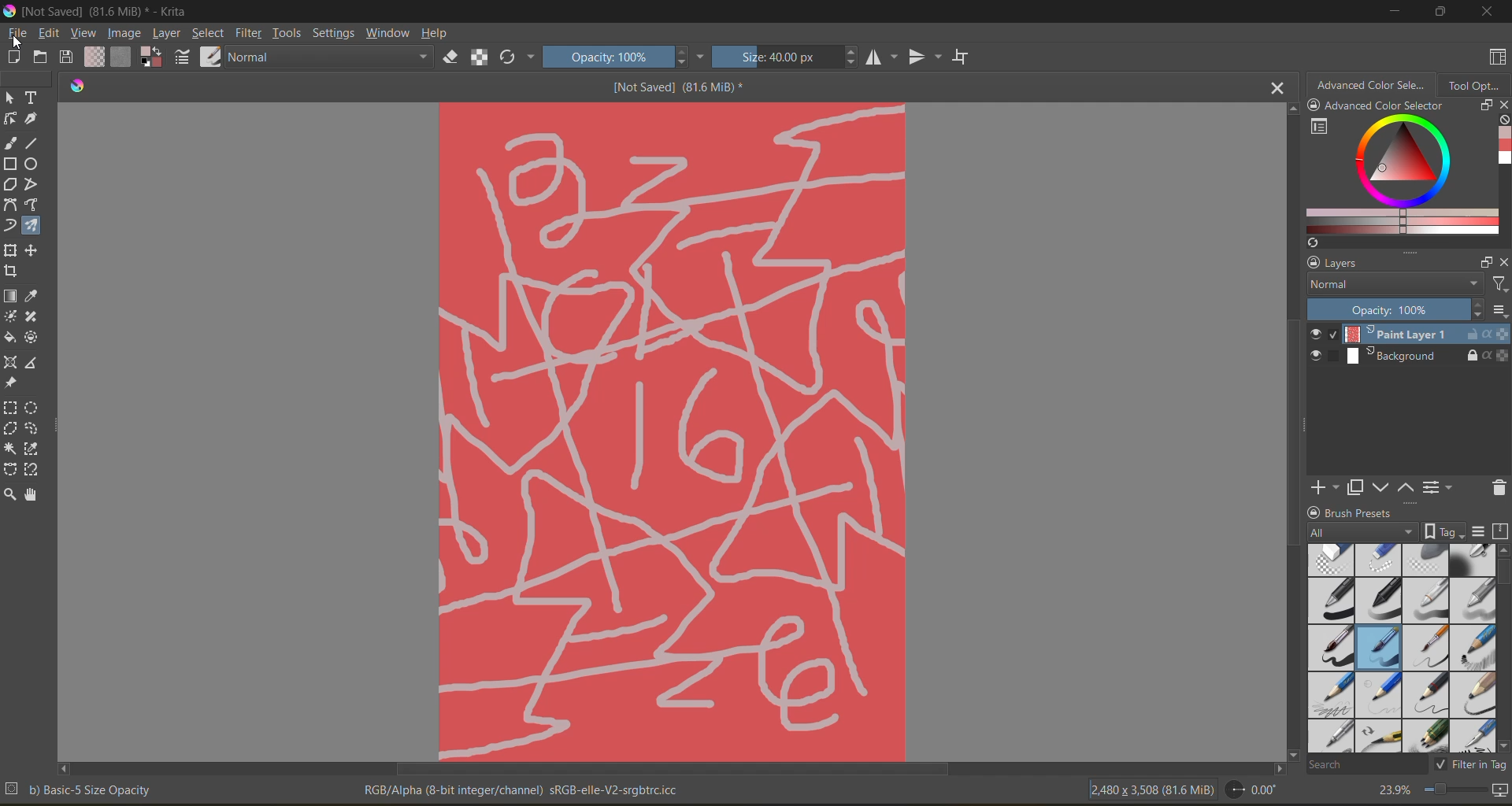 This screenshot has width=1512, height=806. I want to click on tool, so click(32, 98).